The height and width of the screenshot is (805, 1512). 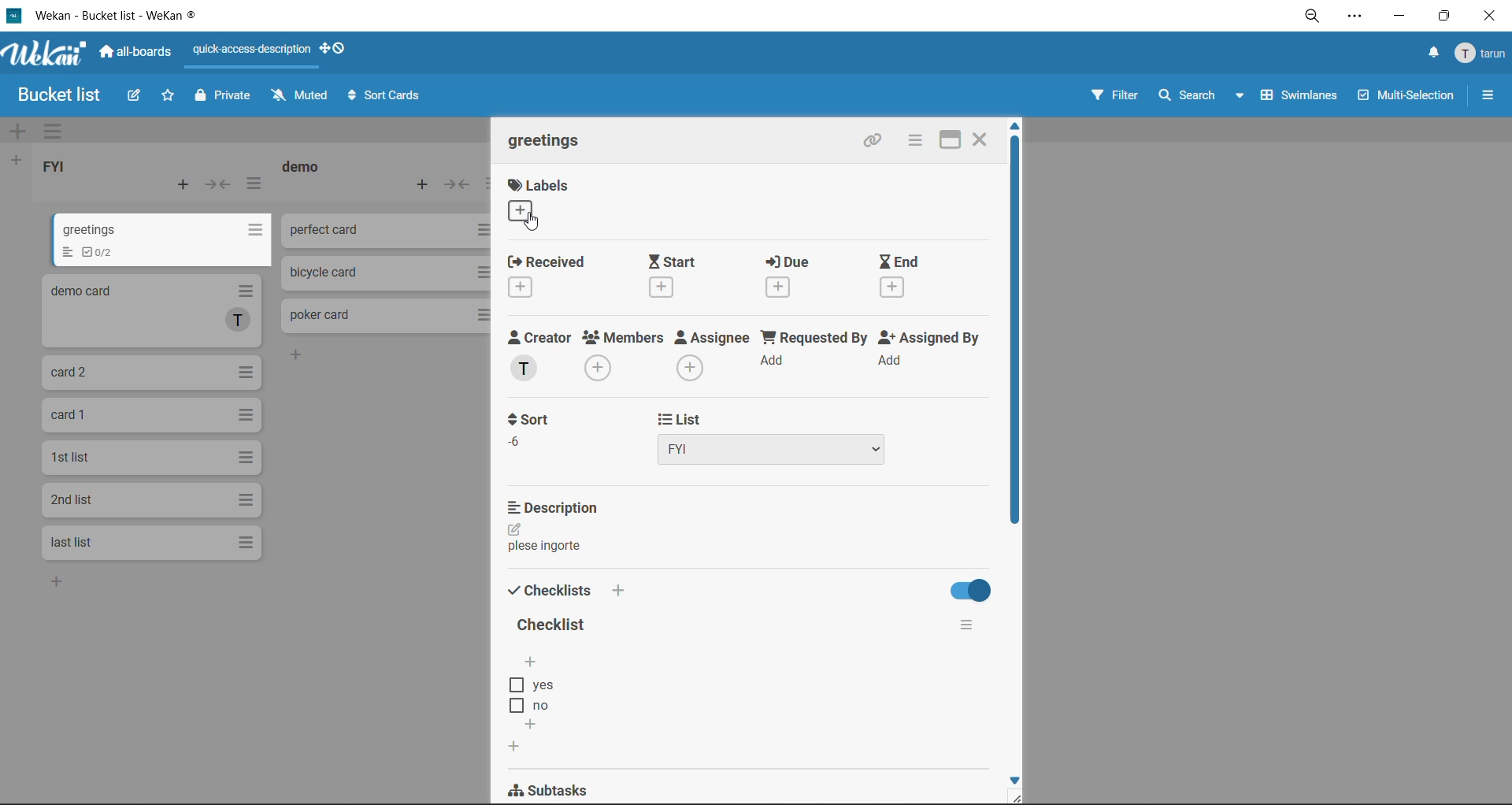 I want to click on list actions, so click(x=254, y=184).